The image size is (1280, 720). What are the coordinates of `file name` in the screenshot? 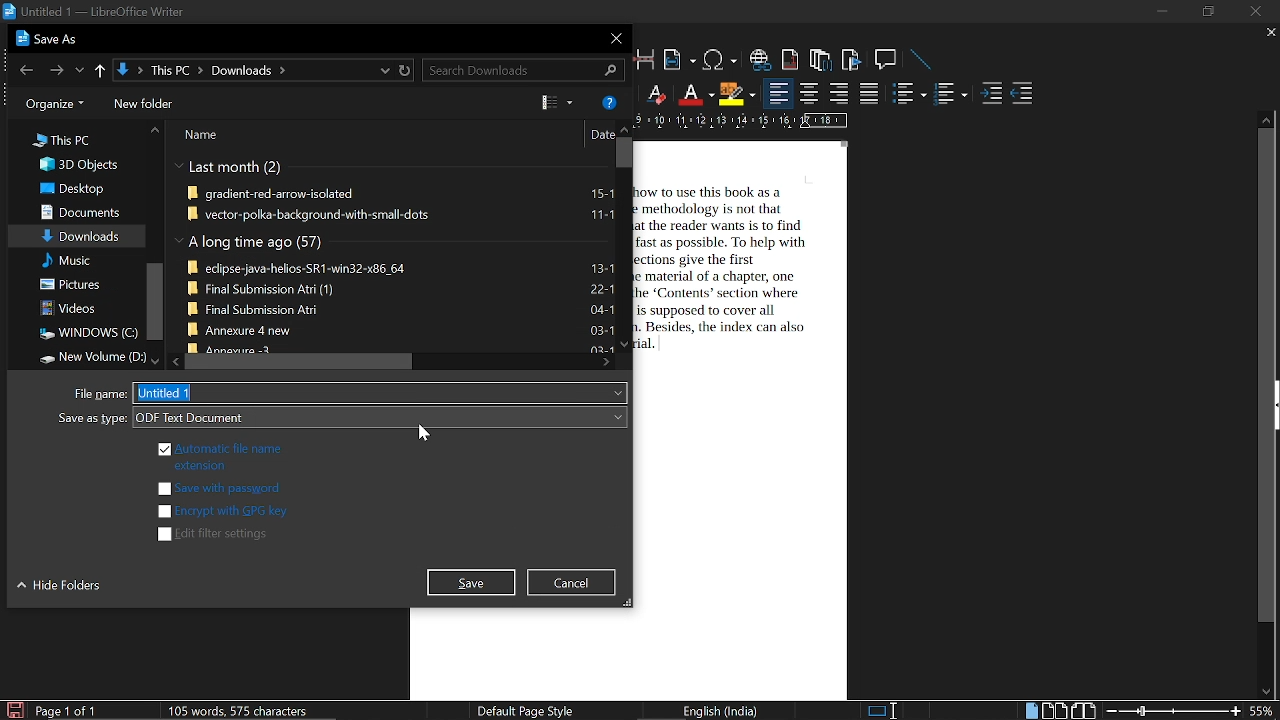 It's located at (384, 392).